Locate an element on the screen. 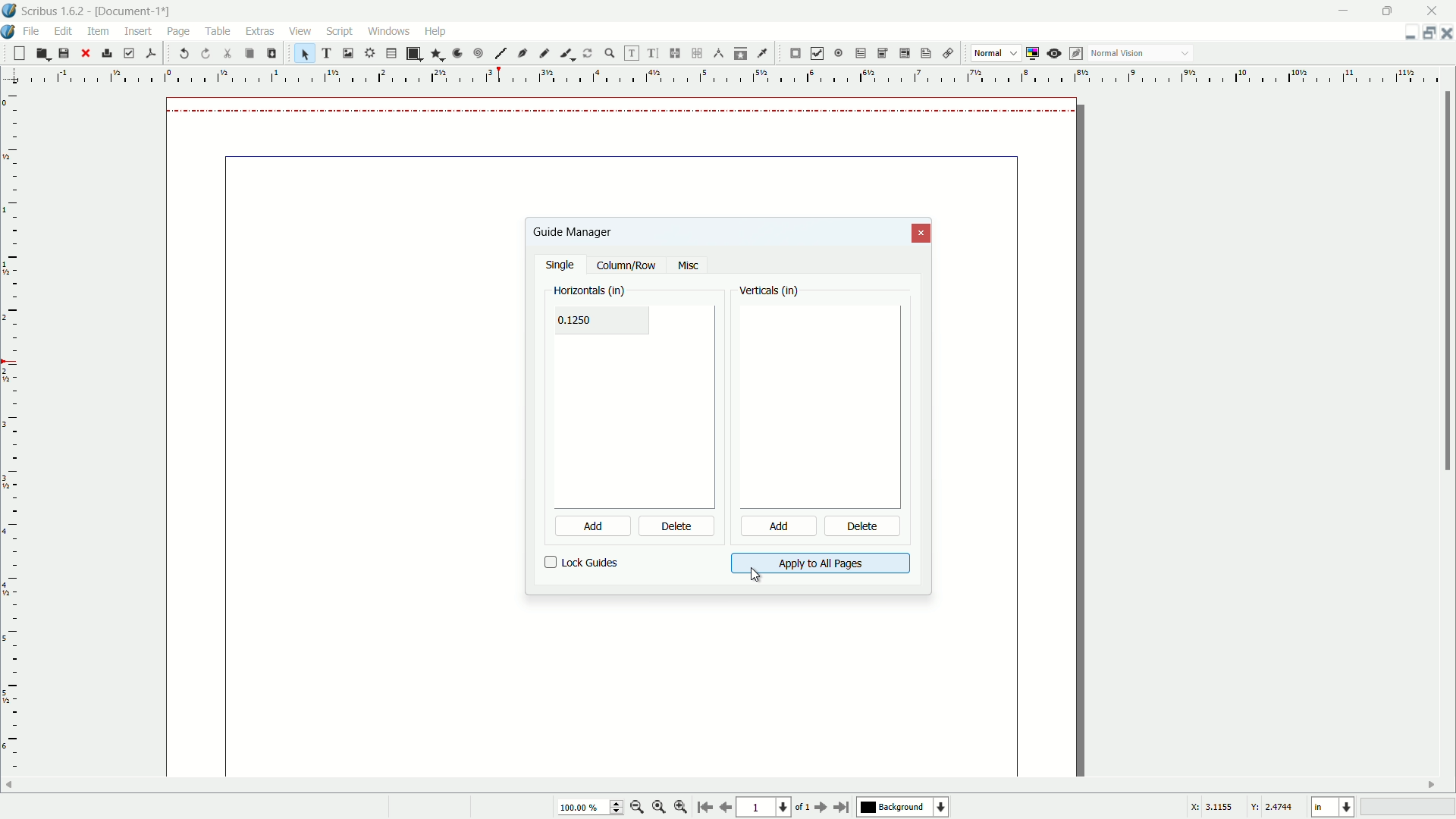 This screenshot has width=1456, height=819. go to start page is located at coordinates (703, 808).